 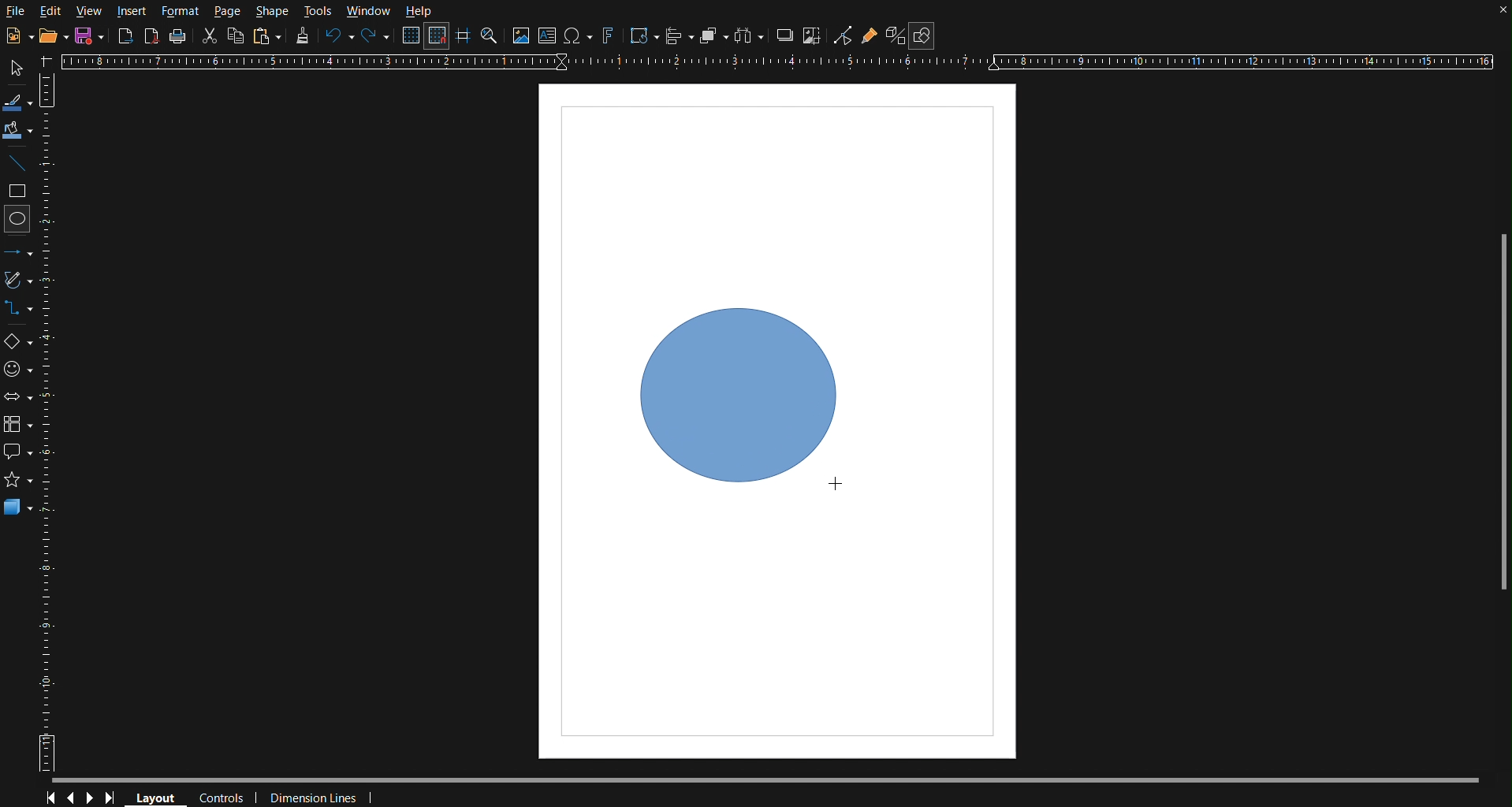 I want to click on Insert, so click(x=131, y=9).